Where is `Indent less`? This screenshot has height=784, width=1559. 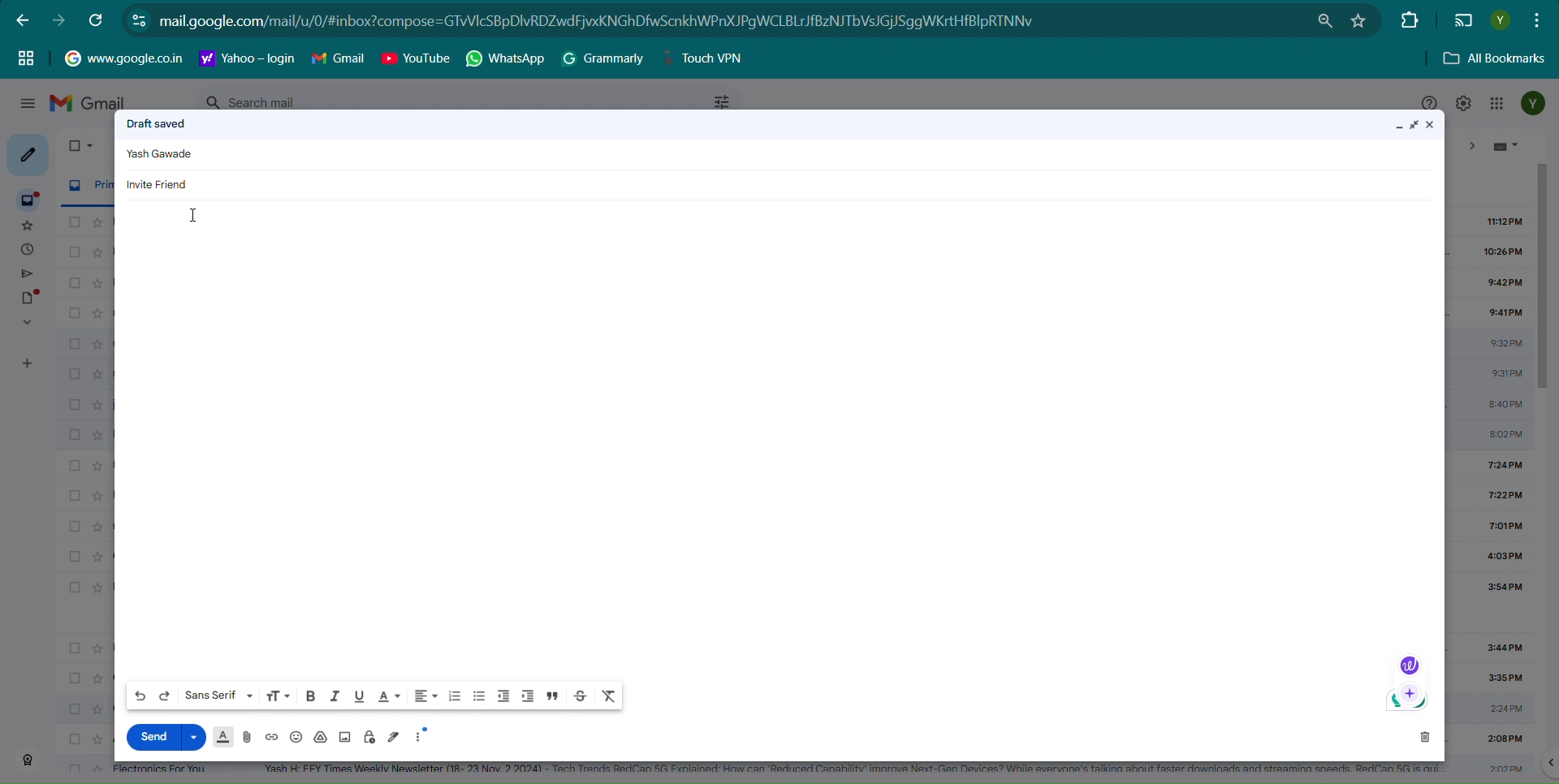
Indent less is located at coordinates (503, 696).